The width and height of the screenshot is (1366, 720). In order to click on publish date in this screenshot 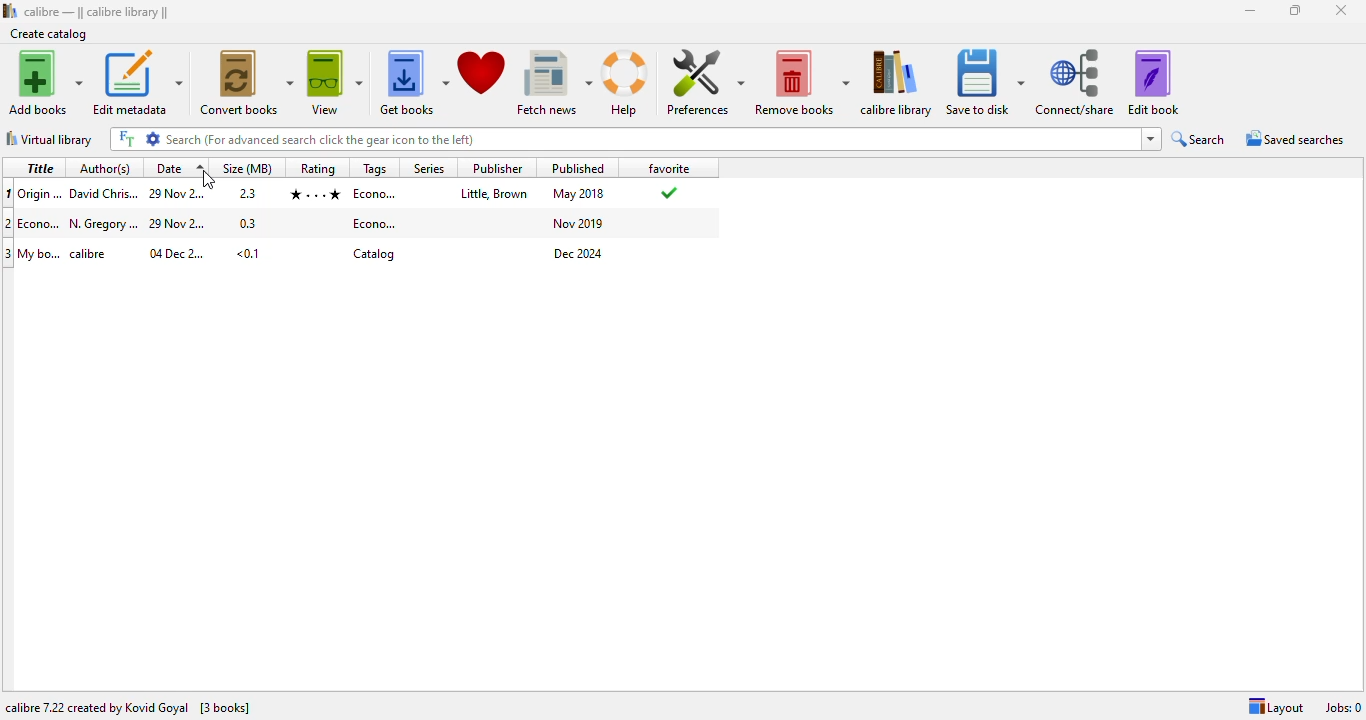, I will do `click(580, 223)`.